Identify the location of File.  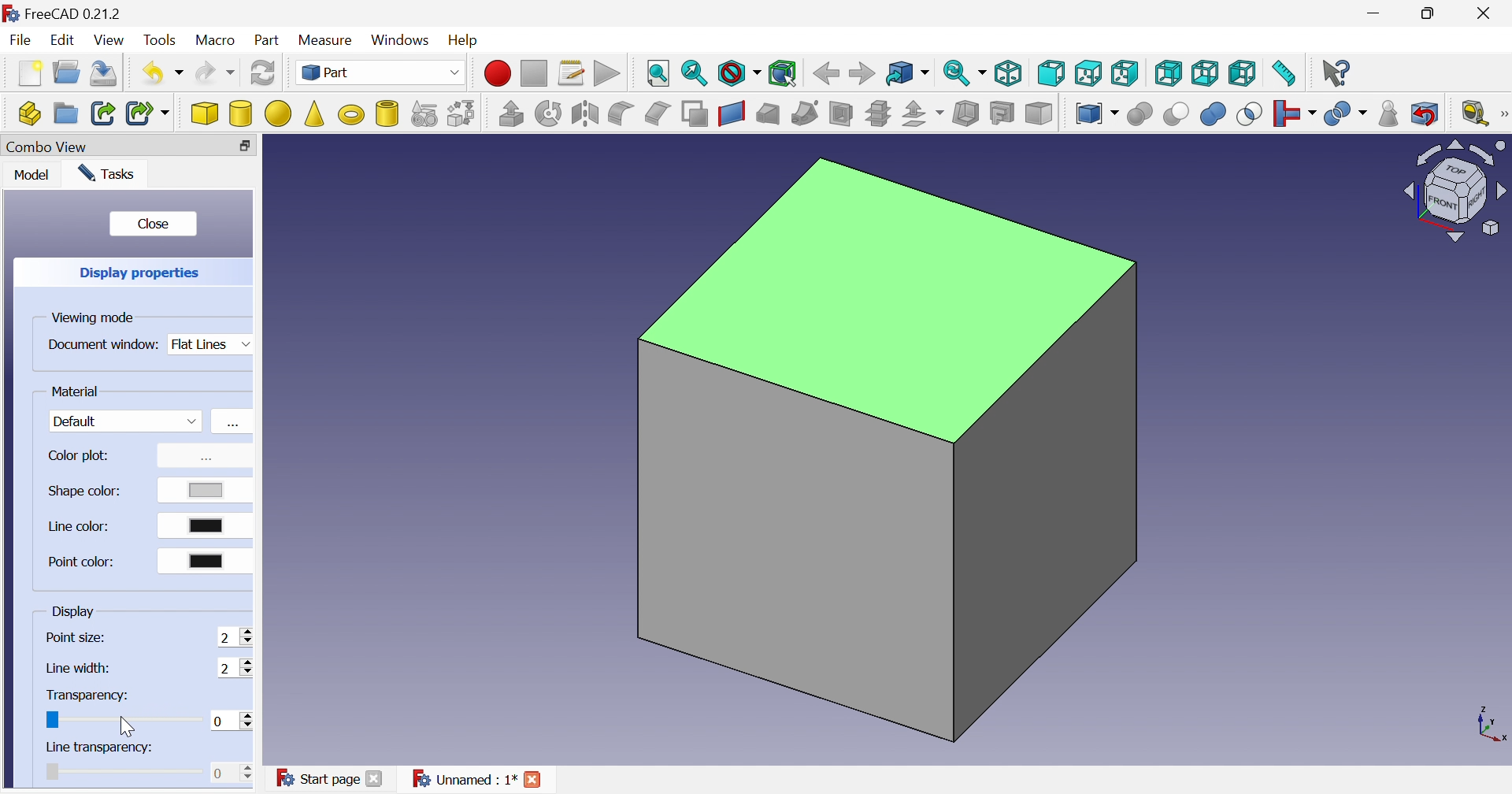
(18, 39).